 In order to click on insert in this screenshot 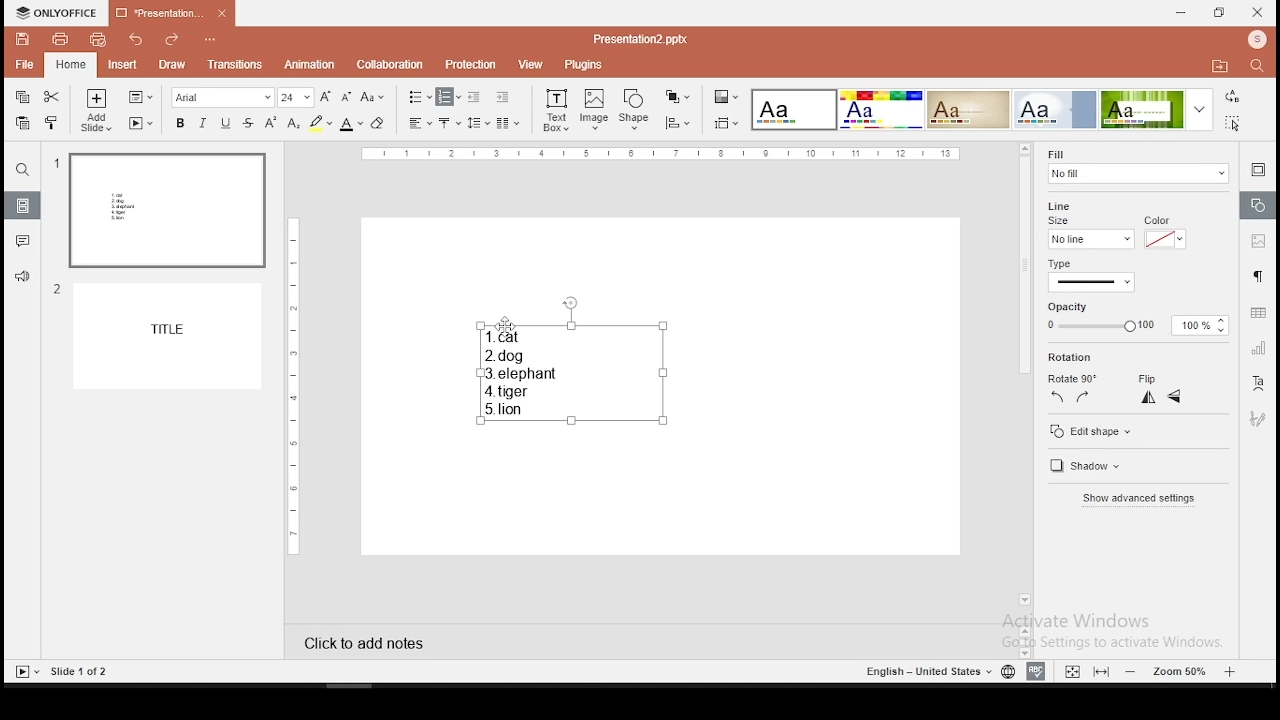, I will do `click(121, 64)`.